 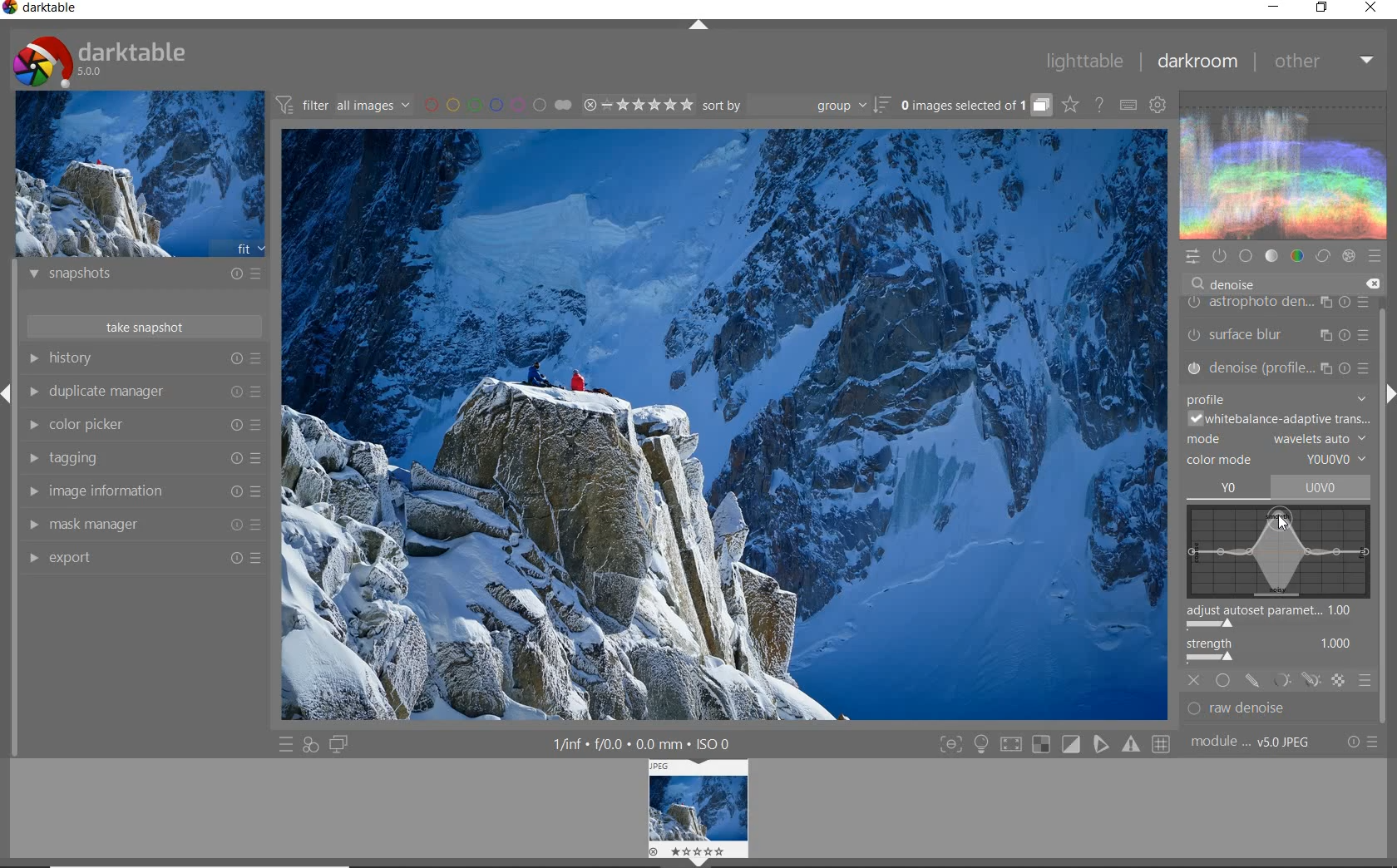 What do you see at coordinates (498, 104) in the screenshot?
I see `filter images by color labels` at bounding box center [498, 104].